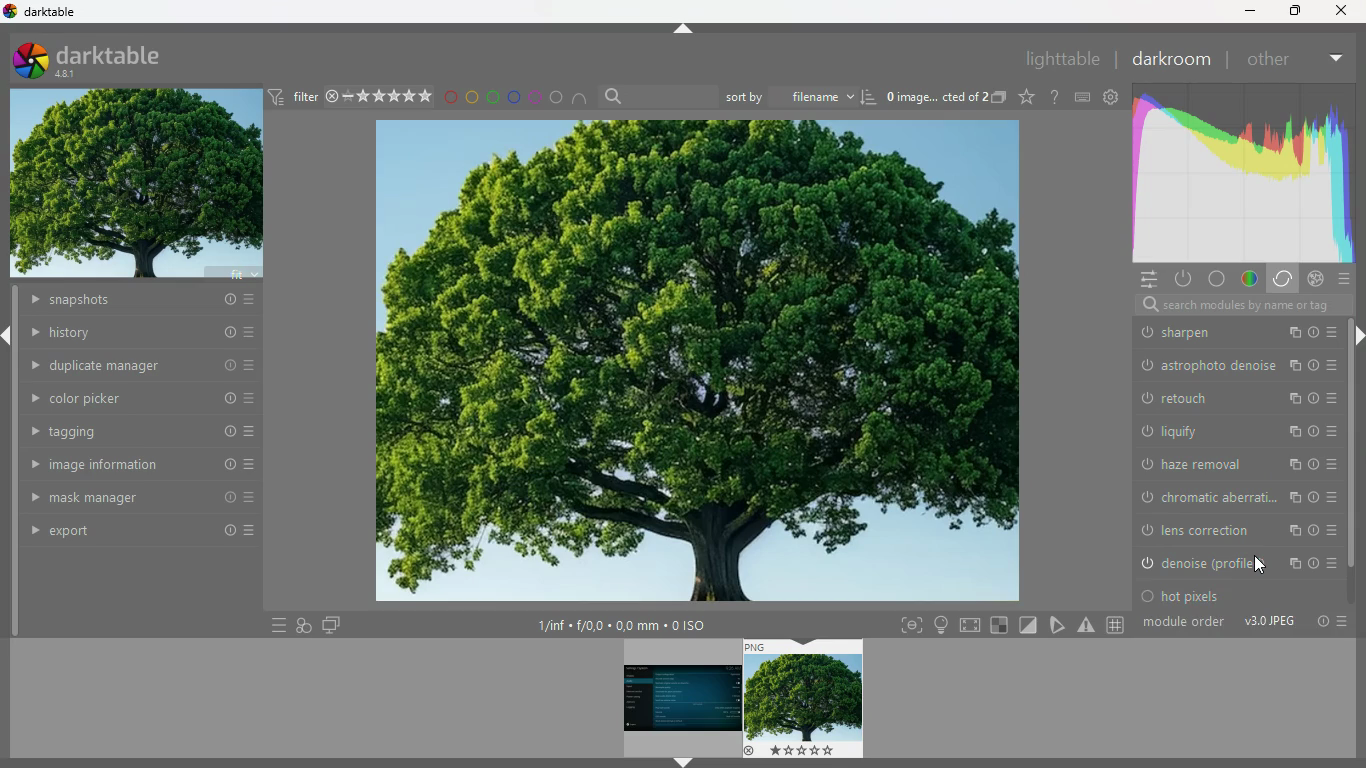 This screenshot has width=1366, height=768. What do you see at coordinates (1338, 396) in the screenshot?
I see `change` at bounding box center [1338, 396].